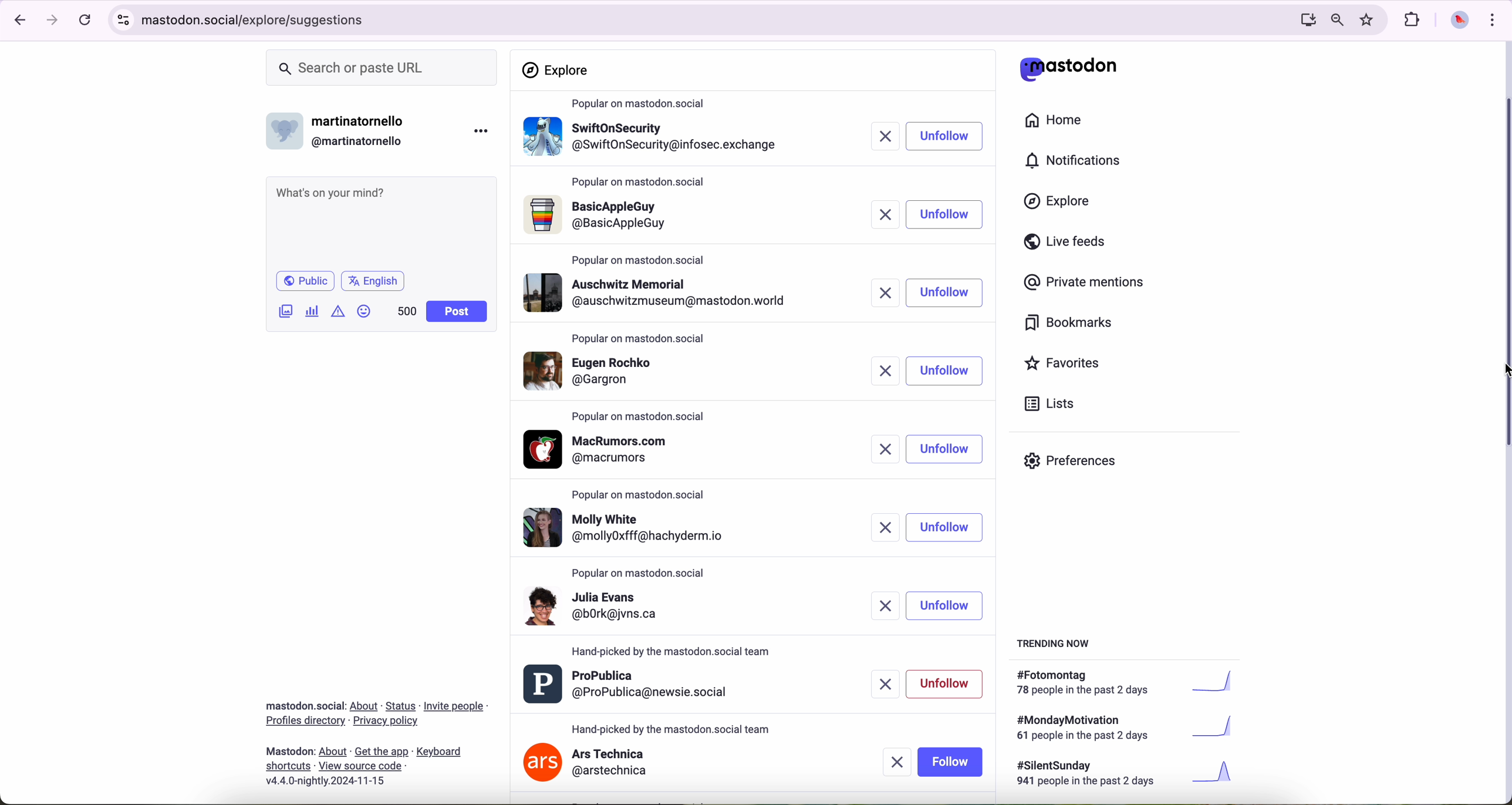 This screenshot has height=805, width=1512. What do you see at coordinates (1060, 207) in the screenshot?
I see `click on explore button` at bounding box center [1060, 207].